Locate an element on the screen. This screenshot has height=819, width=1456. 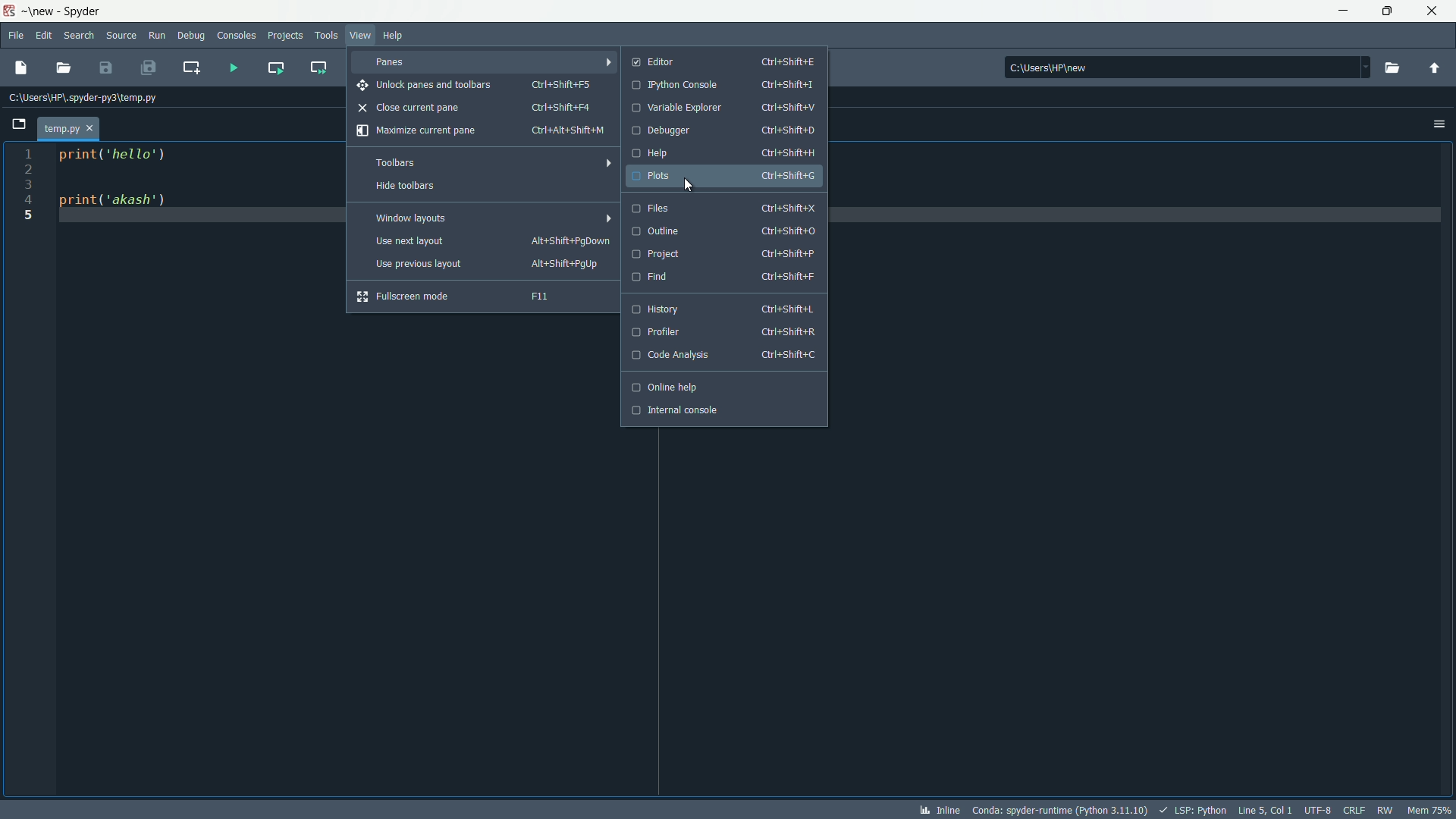
crlf is located at coordinates (1355, 810).